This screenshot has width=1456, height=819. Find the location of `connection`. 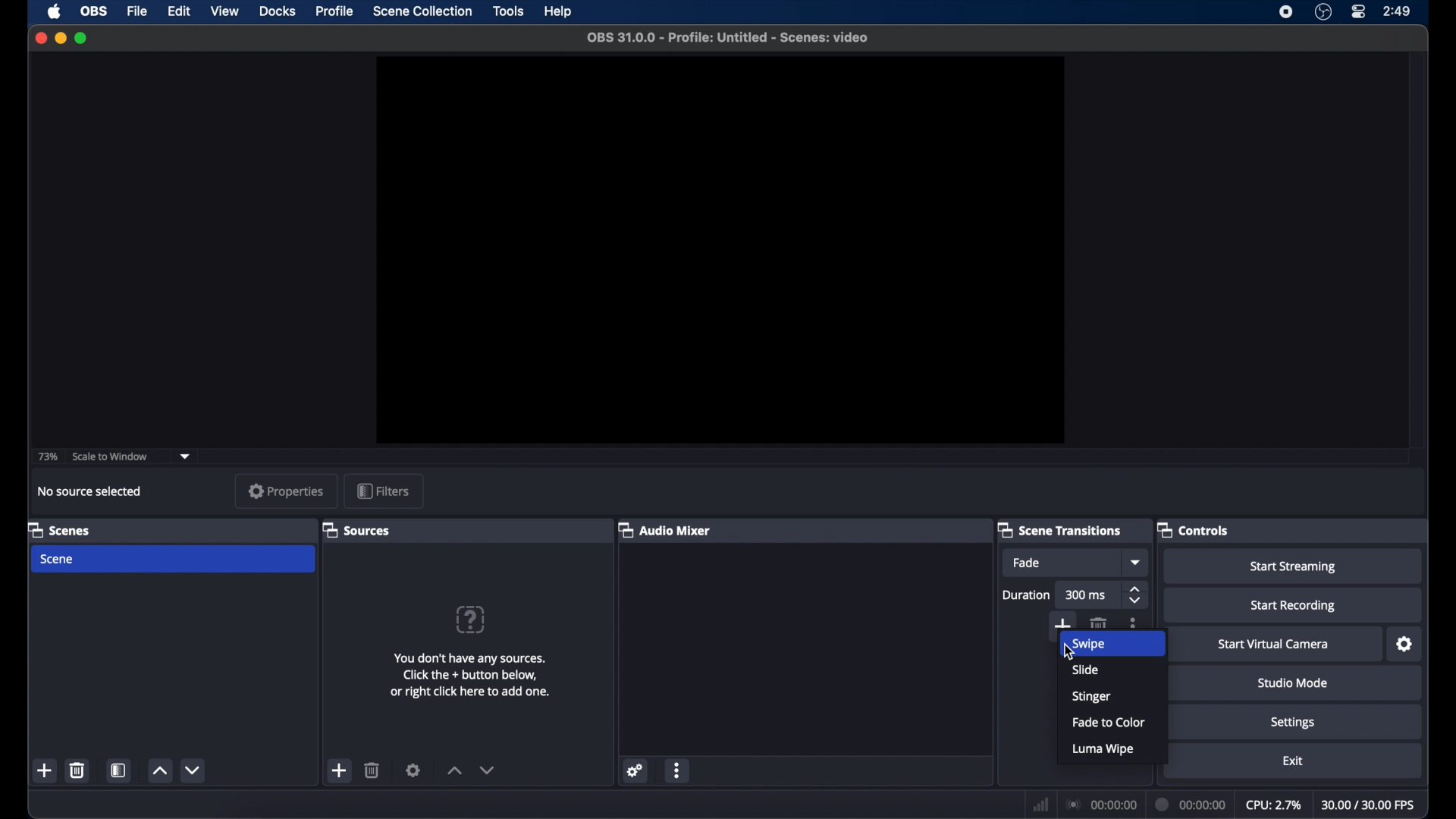

connection is located at coordinates (1100, 804).